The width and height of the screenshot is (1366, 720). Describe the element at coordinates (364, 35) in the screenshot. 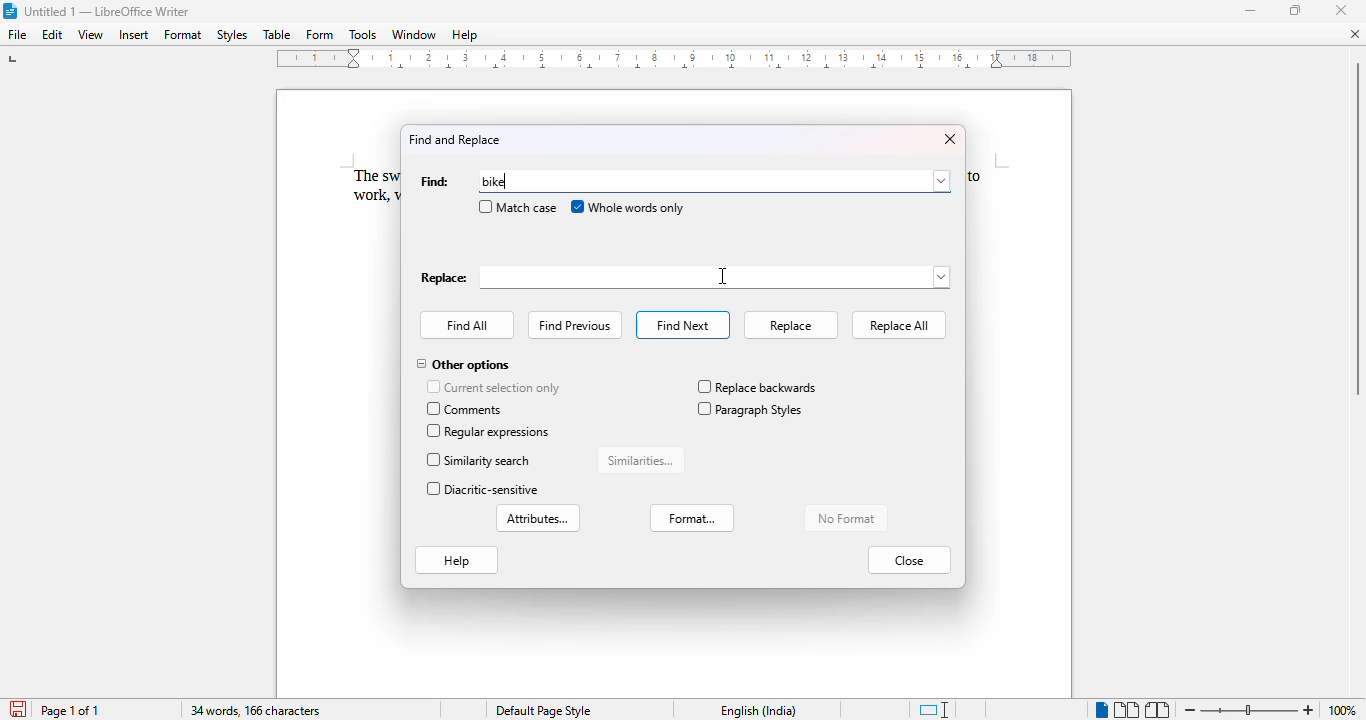

I see `tools` at that location.